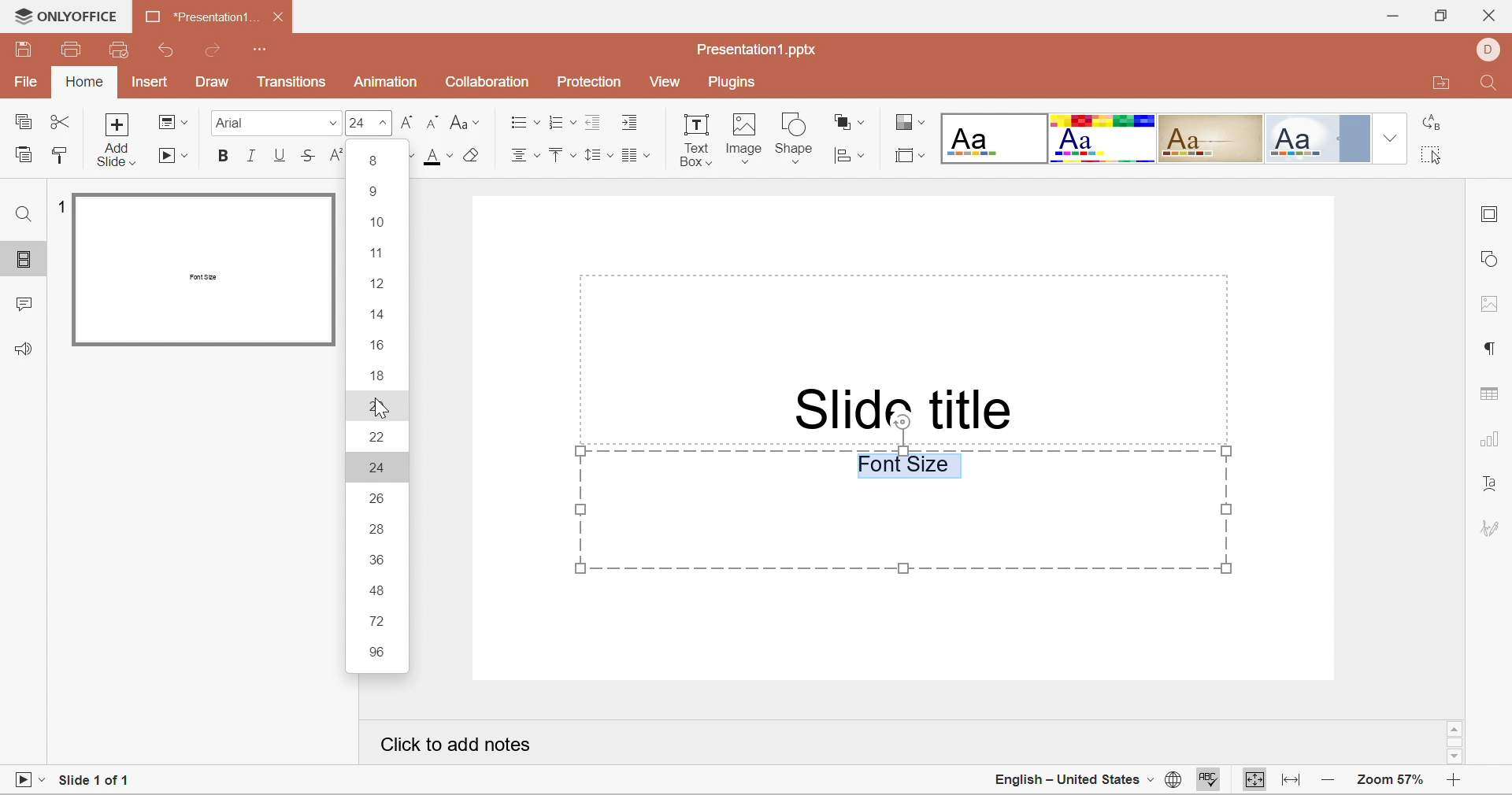  I want to click on Zoom in, so click(1453, 783).